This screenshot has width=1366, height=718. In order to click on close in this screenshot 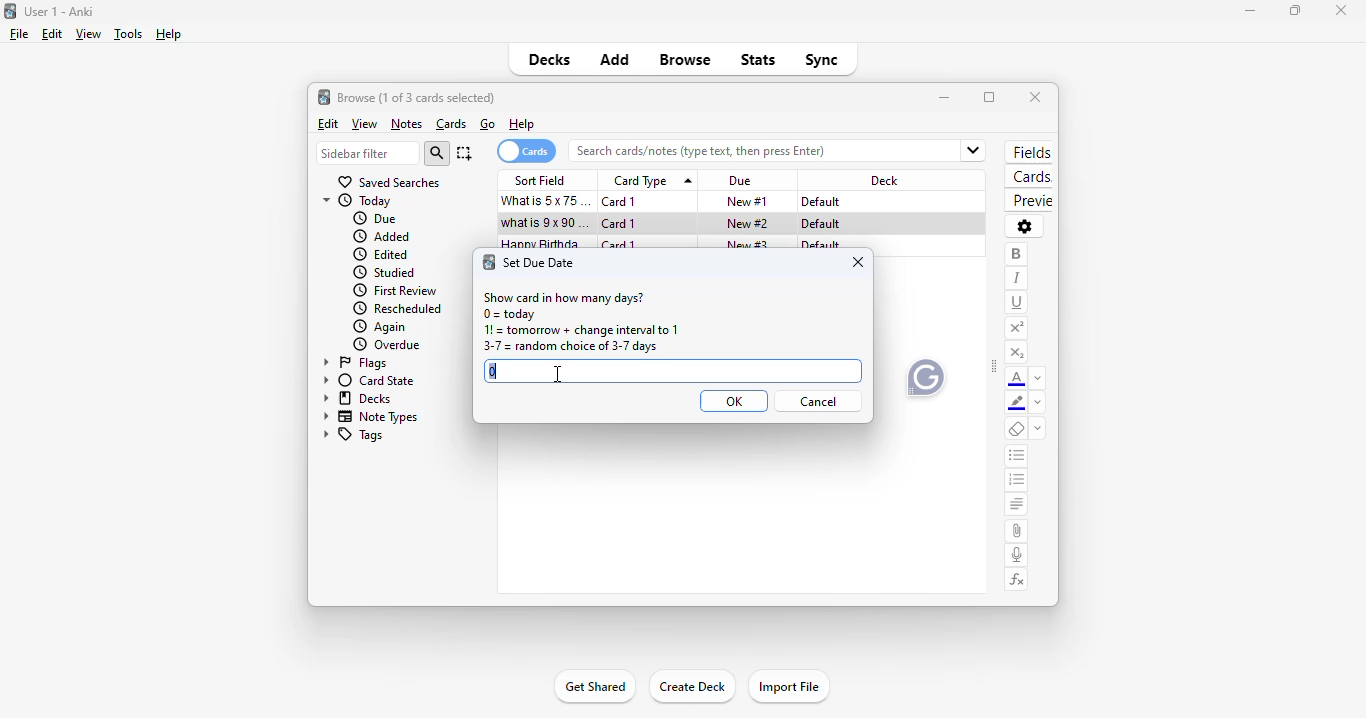, I will do `click(859, 263)`.